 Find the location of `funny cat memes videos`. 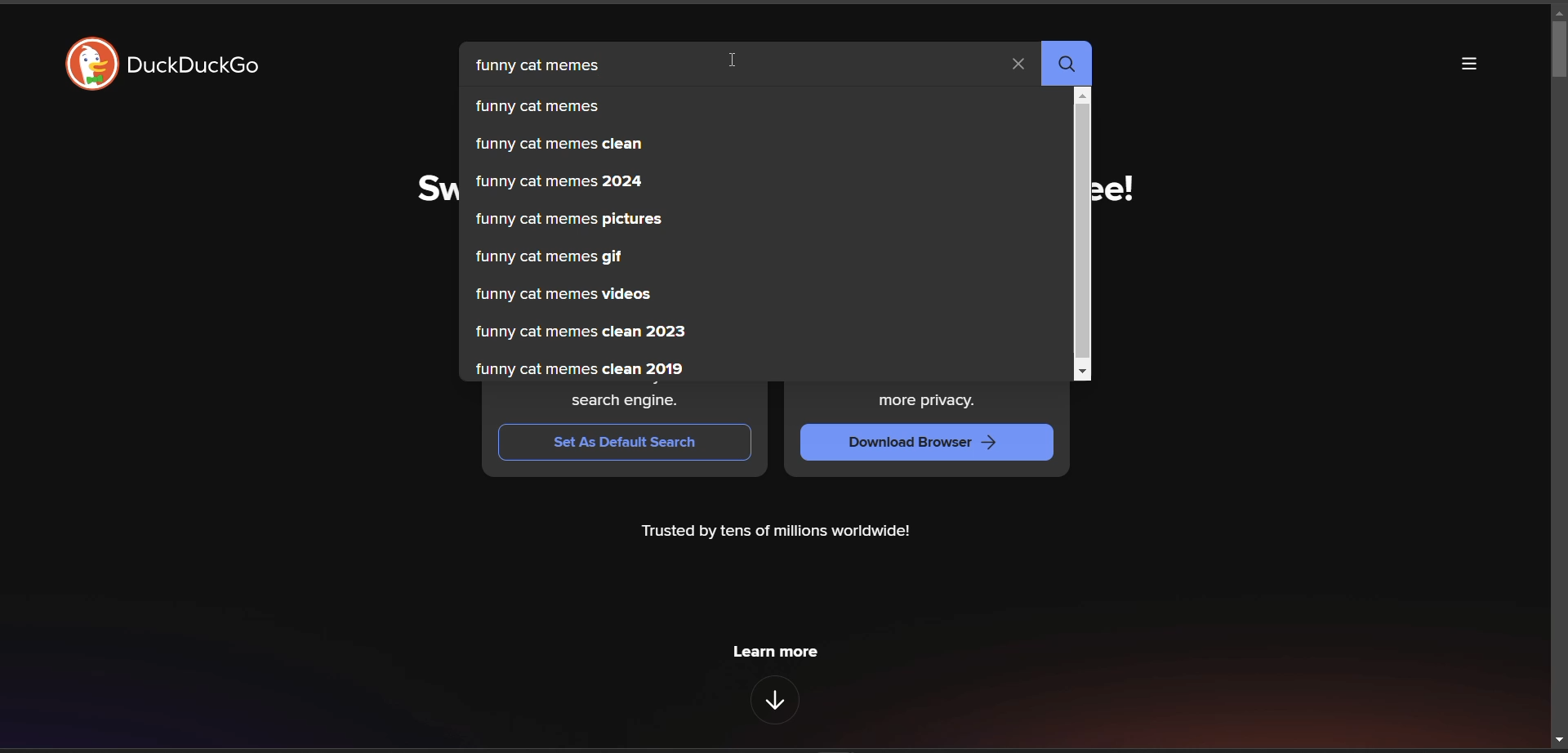

funny cat memes videos is located at coordinates (572, 296).